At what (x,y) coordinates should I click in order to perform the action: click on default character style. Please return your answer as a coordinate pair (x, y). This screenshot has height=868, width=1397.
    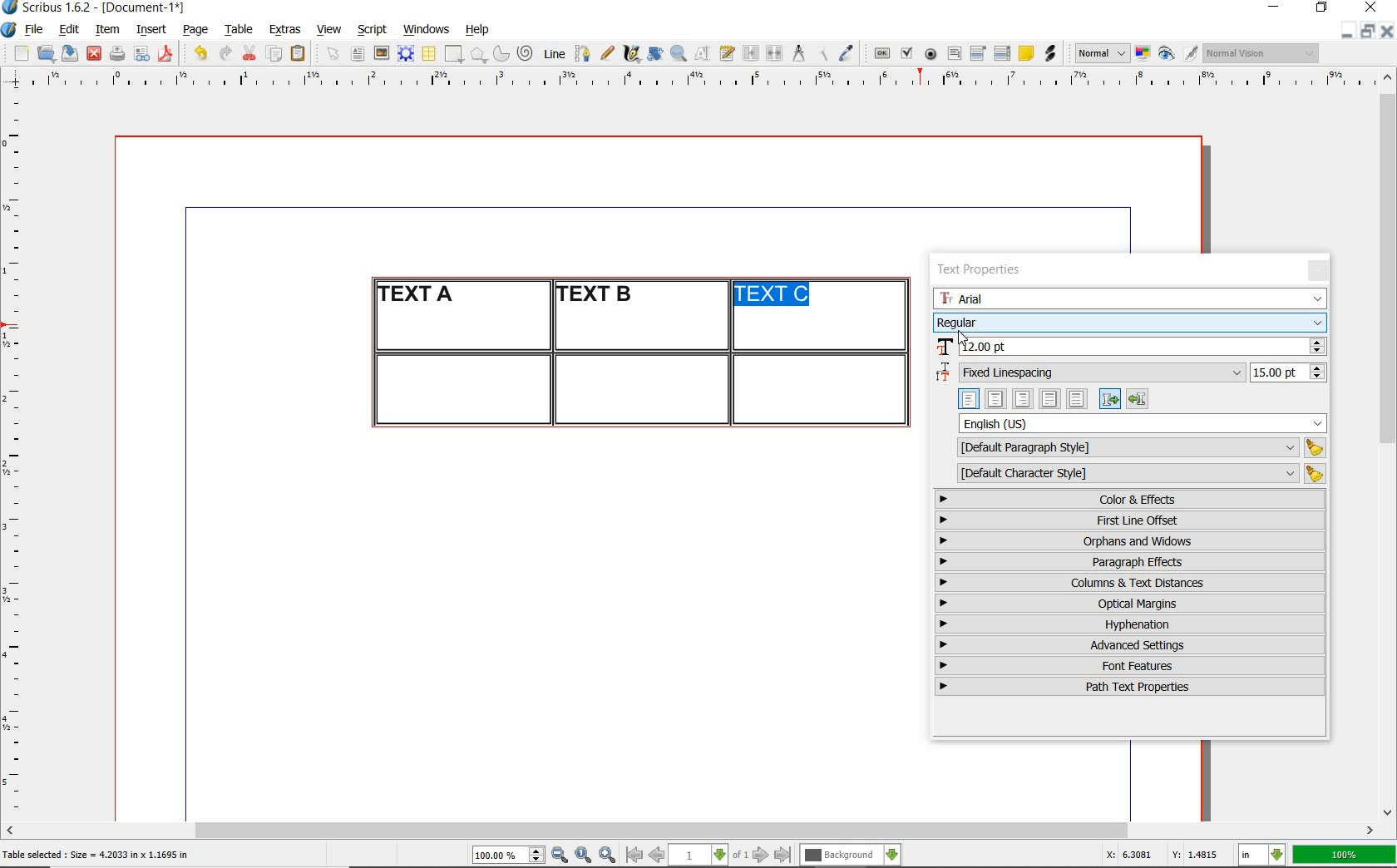
    Looking at the image, I should click on (1136, 474).